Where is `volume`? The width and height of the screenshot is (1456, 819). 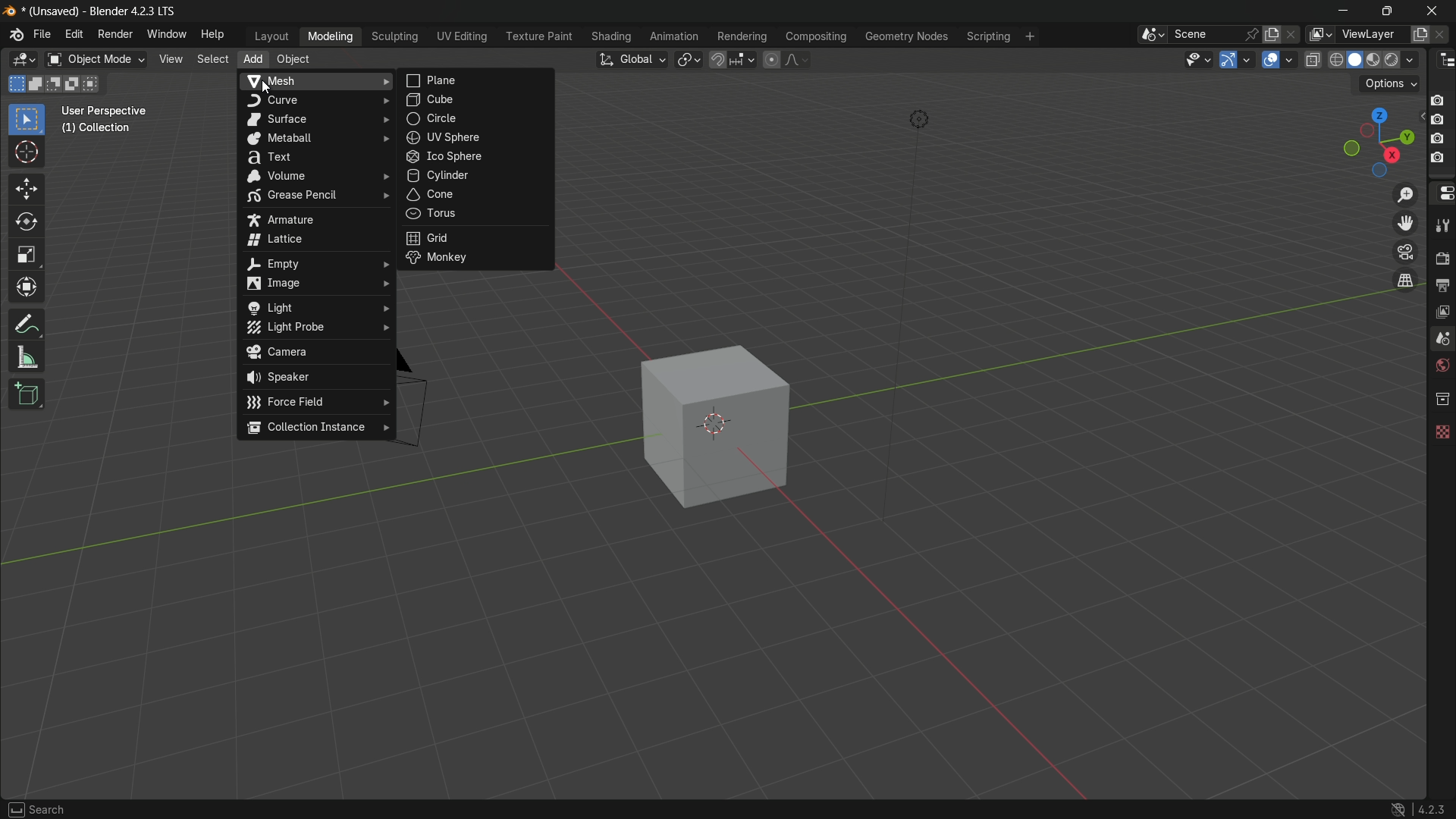 volume is located at coordinates (315, 177).